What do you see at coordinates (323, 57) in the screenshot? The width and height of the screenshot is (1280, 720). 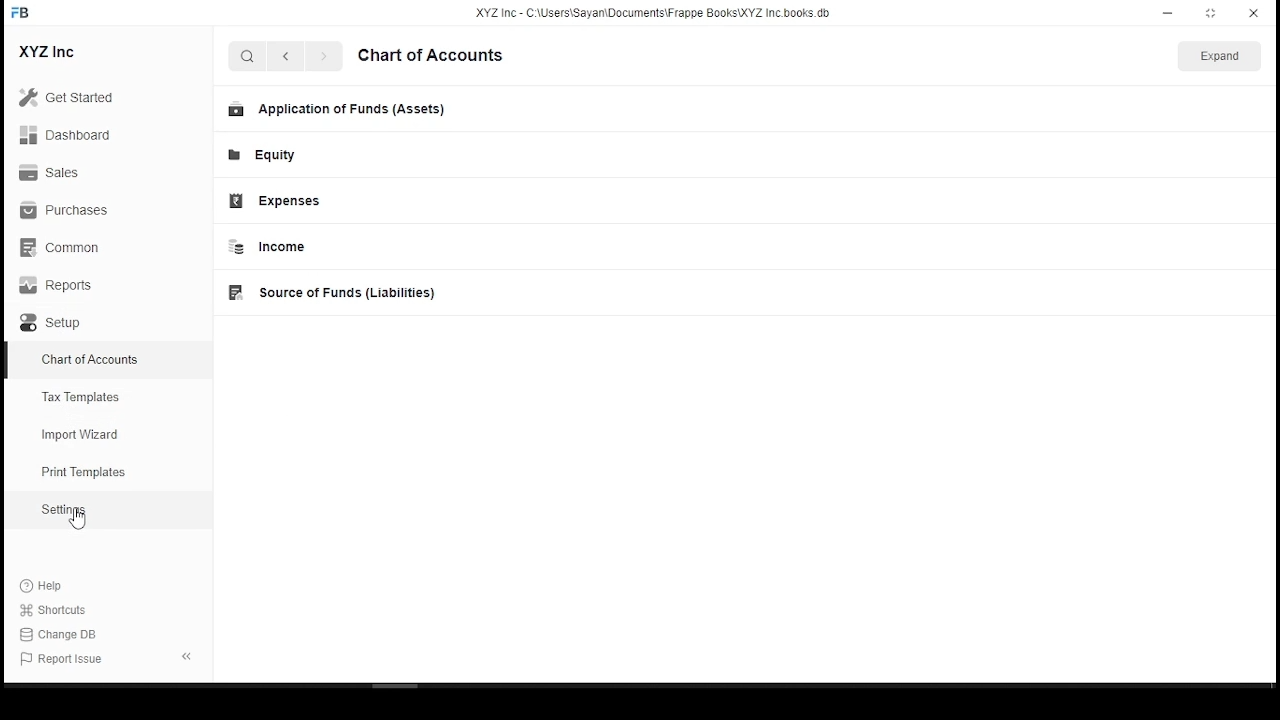 I see `next` at bounding box center [323, 57].